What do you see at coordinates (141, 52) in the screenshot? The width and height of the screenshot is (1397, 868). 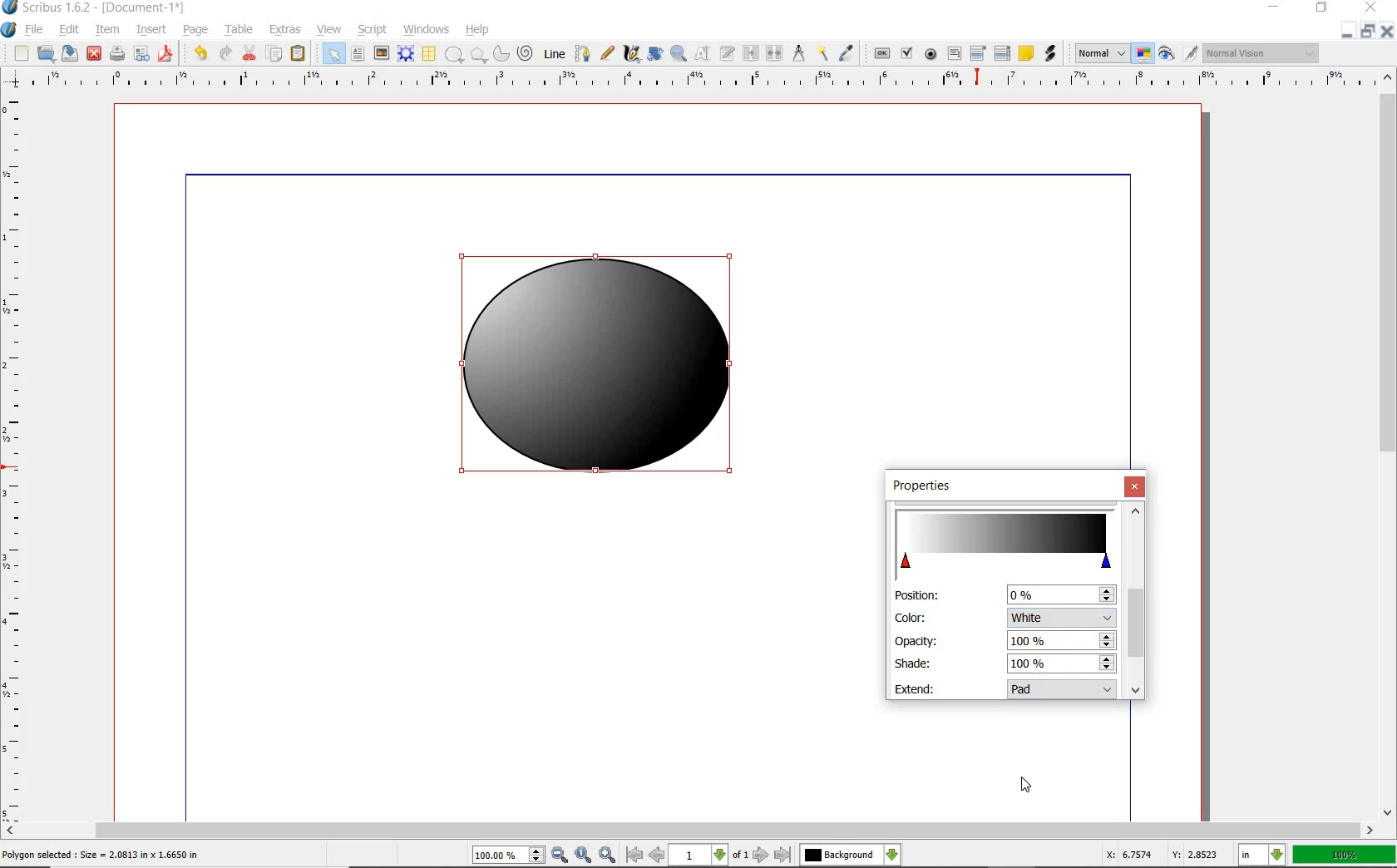 I see `PREFLIGHT VERIFIER` at bounding box center [141, 52].